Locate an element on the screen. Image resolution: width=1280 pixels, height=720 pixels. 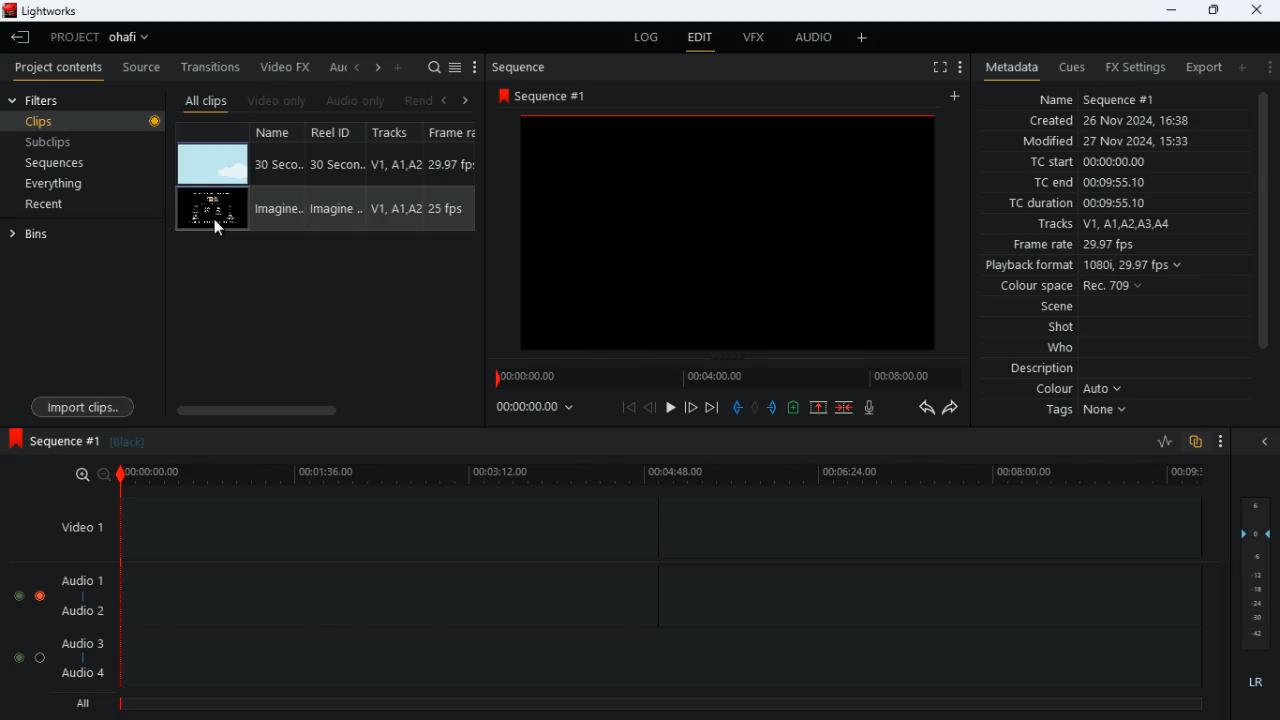
who is located at coordinates (1065, 347).